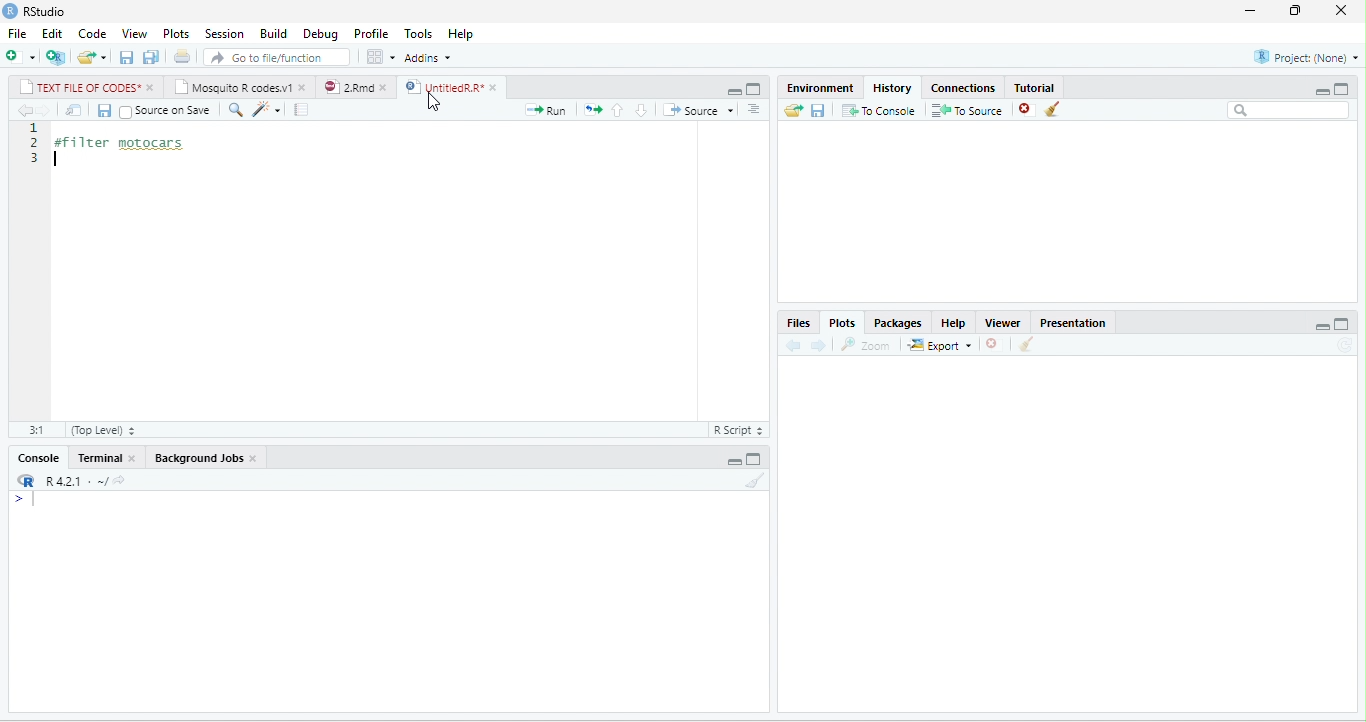 This screenshot has width=1366, height=722. I want to click on UntitledR.R, so click(441, 87).